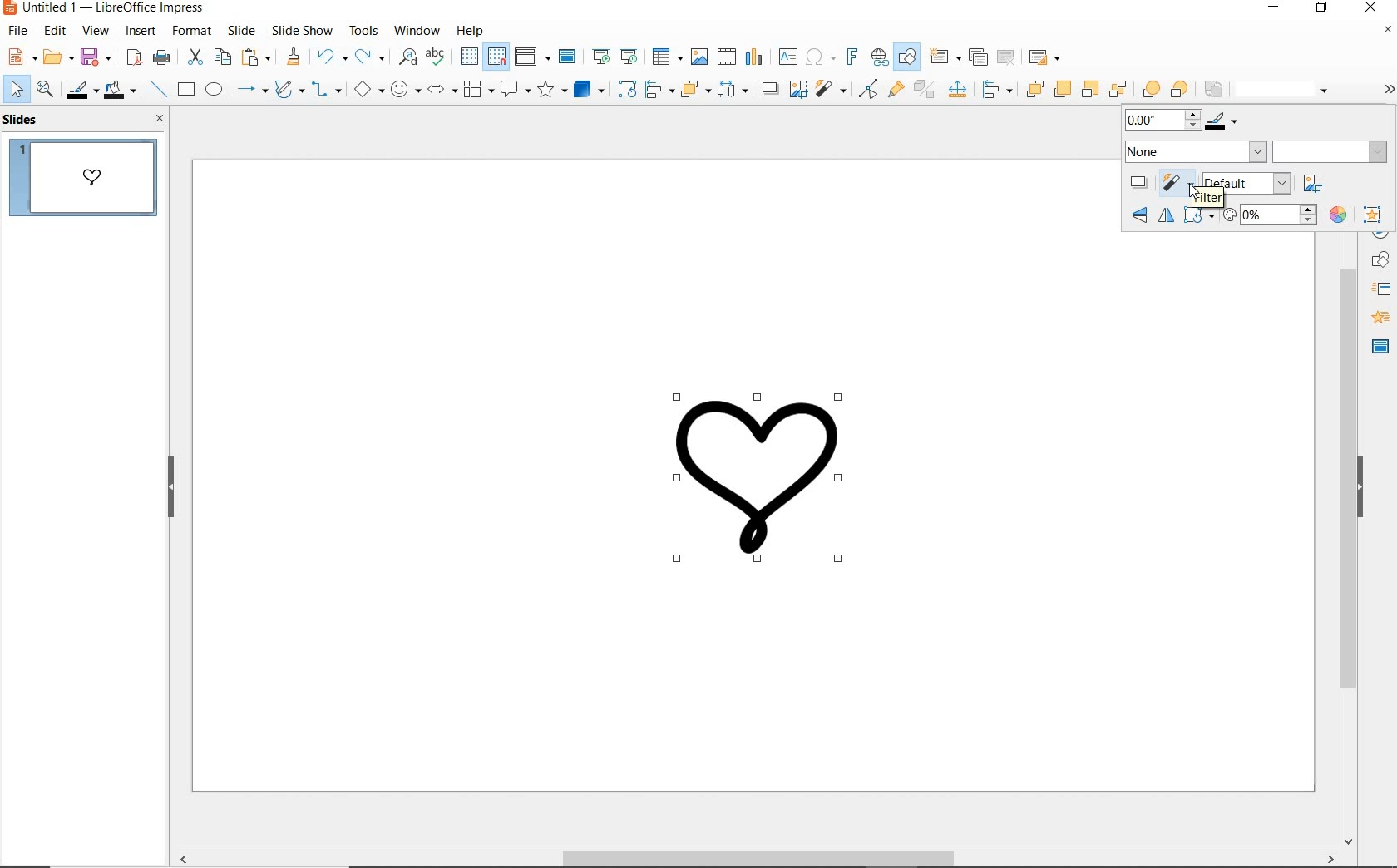  Describe the element at coordinates (1181, 89) in the screenshot. I see `behind object` at that location.